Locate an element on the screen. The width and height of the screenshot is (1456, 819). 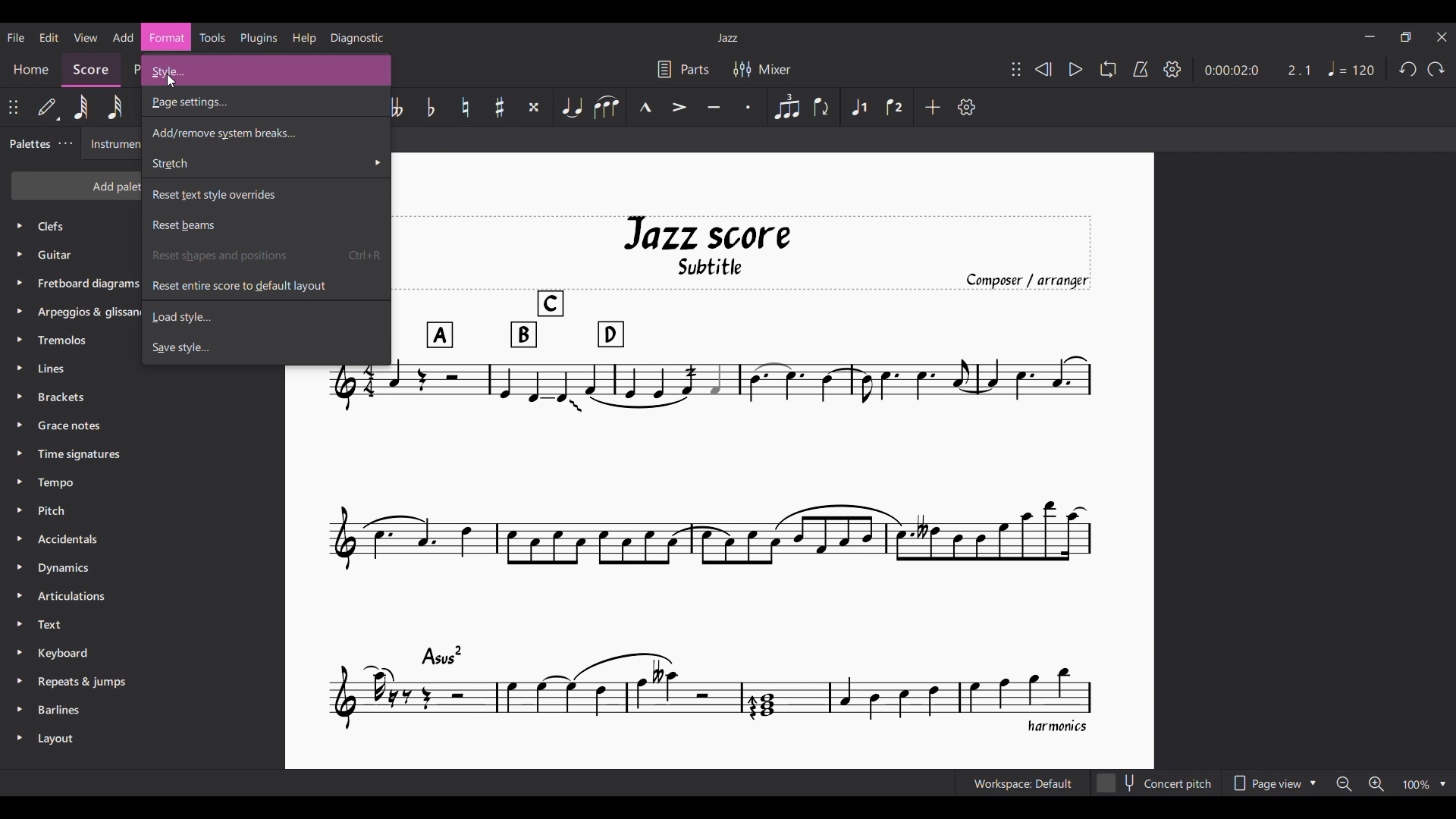
Tools menu is located at coordinates (212, 38).